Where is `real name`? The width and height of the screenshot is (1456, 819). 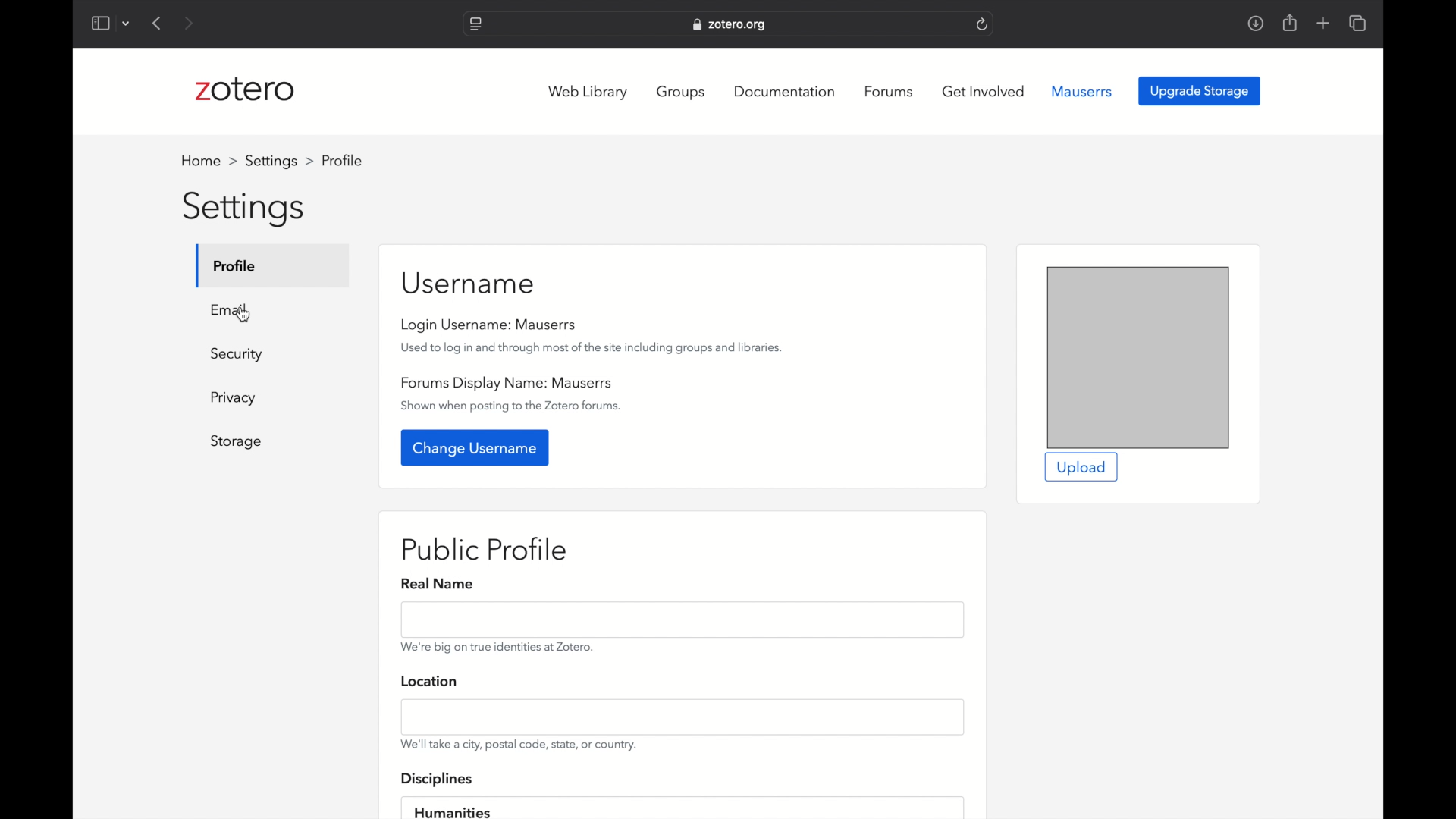
real name is located at coordinates (437, 585).